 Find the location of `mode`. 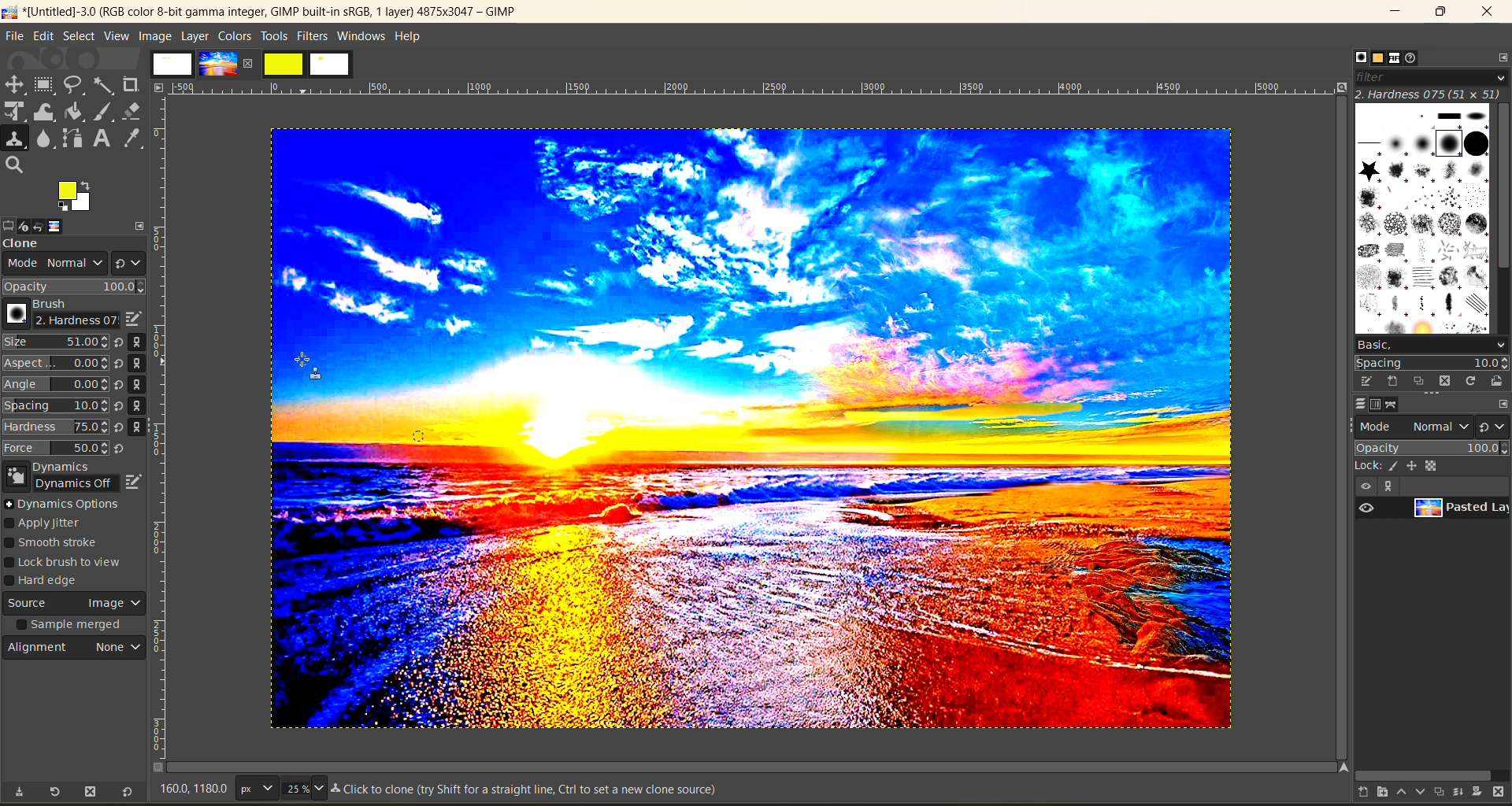

mode is located at coordinates (1415, 425).